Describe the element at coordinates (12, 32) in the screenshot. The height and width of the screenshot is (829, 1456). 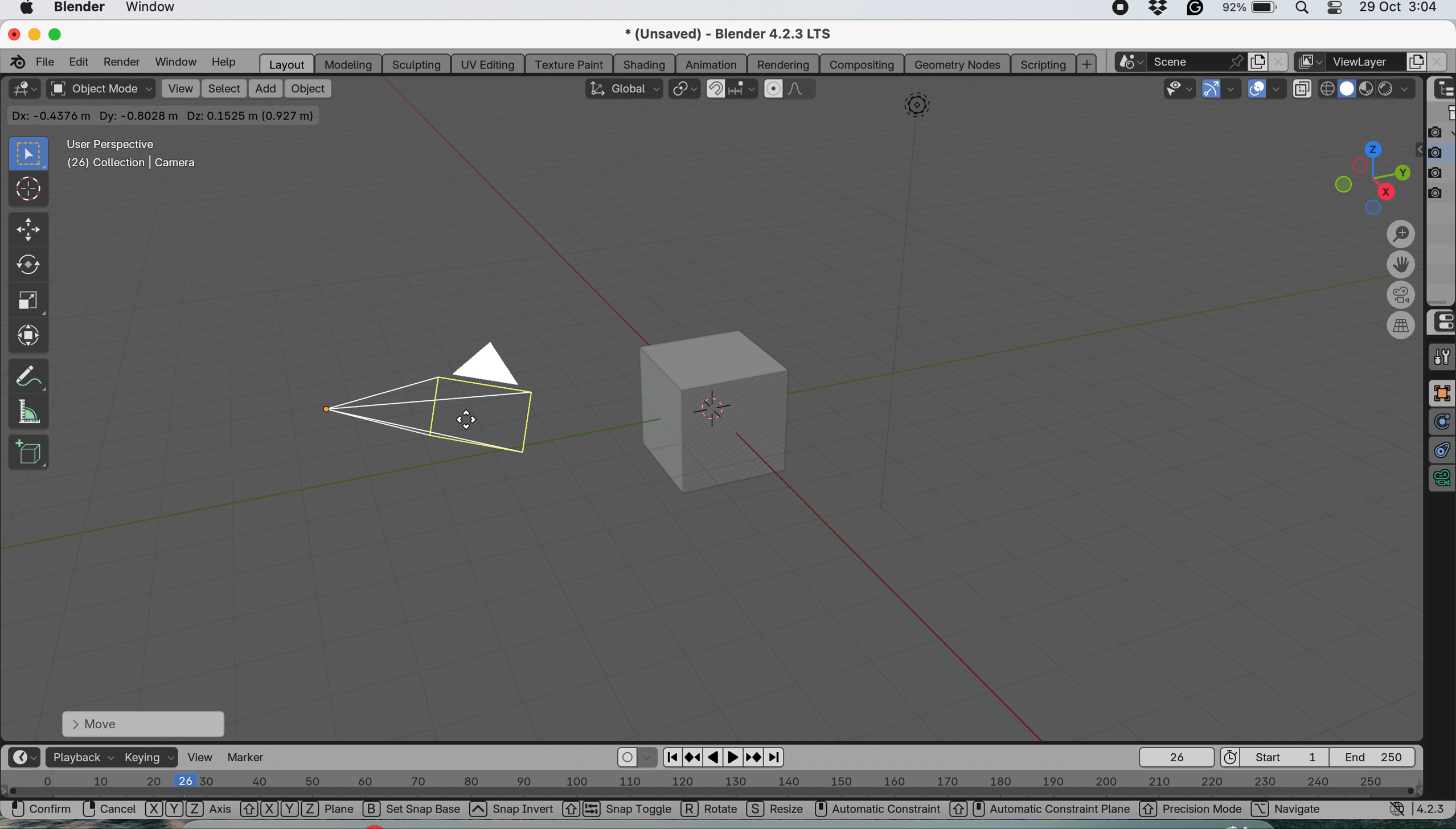
I see `close` at that location.